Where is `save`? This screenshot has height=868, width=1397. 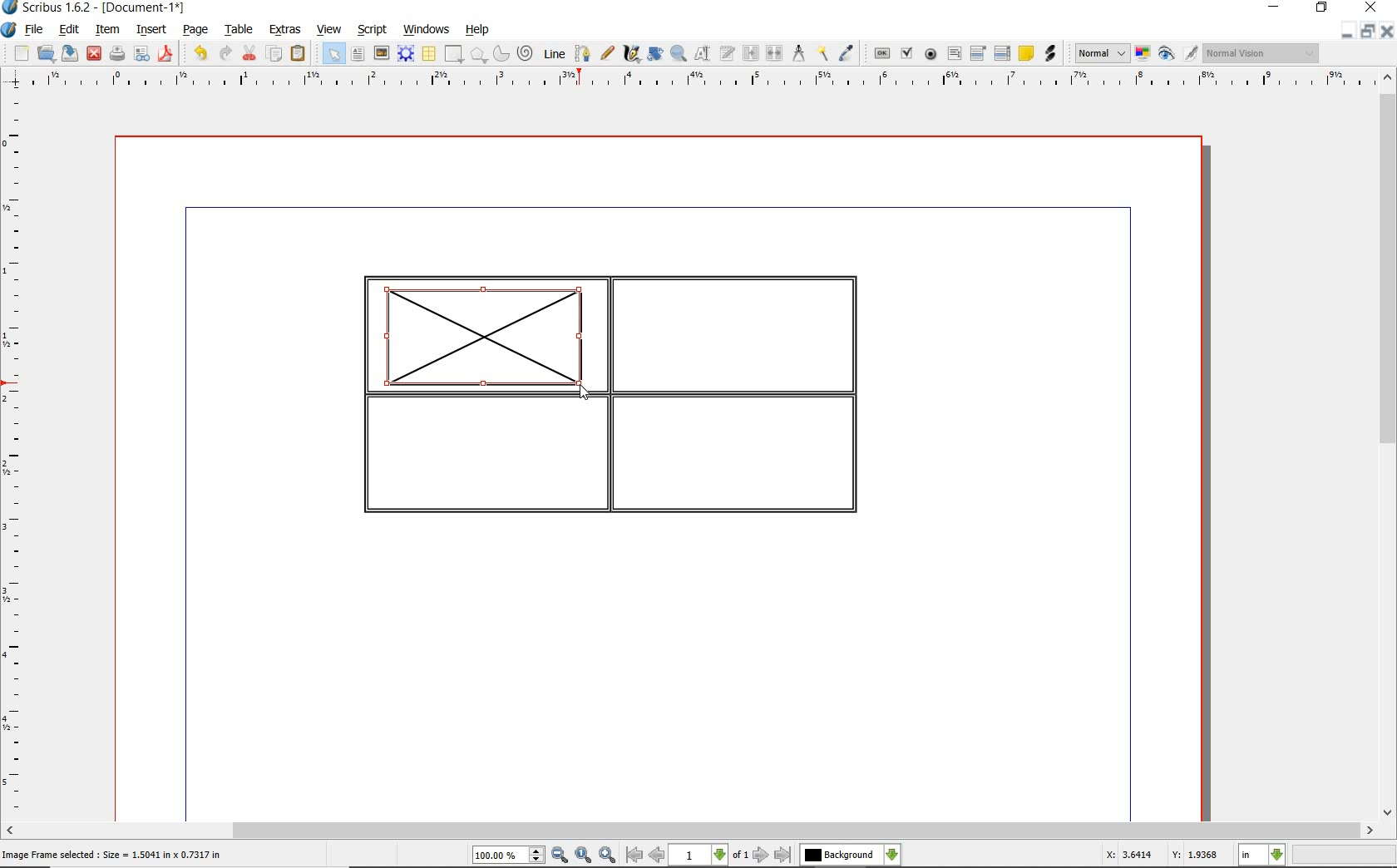
save is located at coordinates (71, 52).